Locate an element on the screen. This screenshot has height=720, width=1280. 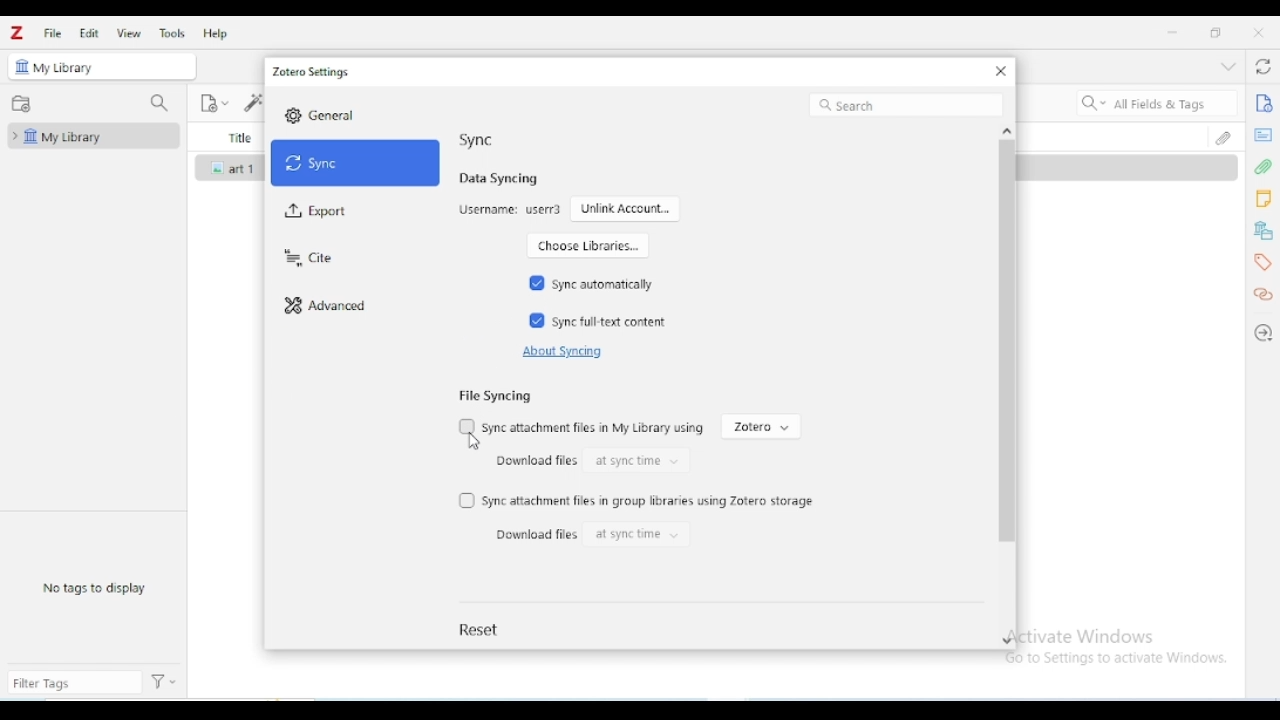
choose libraries is located at coordinates (587, 245).